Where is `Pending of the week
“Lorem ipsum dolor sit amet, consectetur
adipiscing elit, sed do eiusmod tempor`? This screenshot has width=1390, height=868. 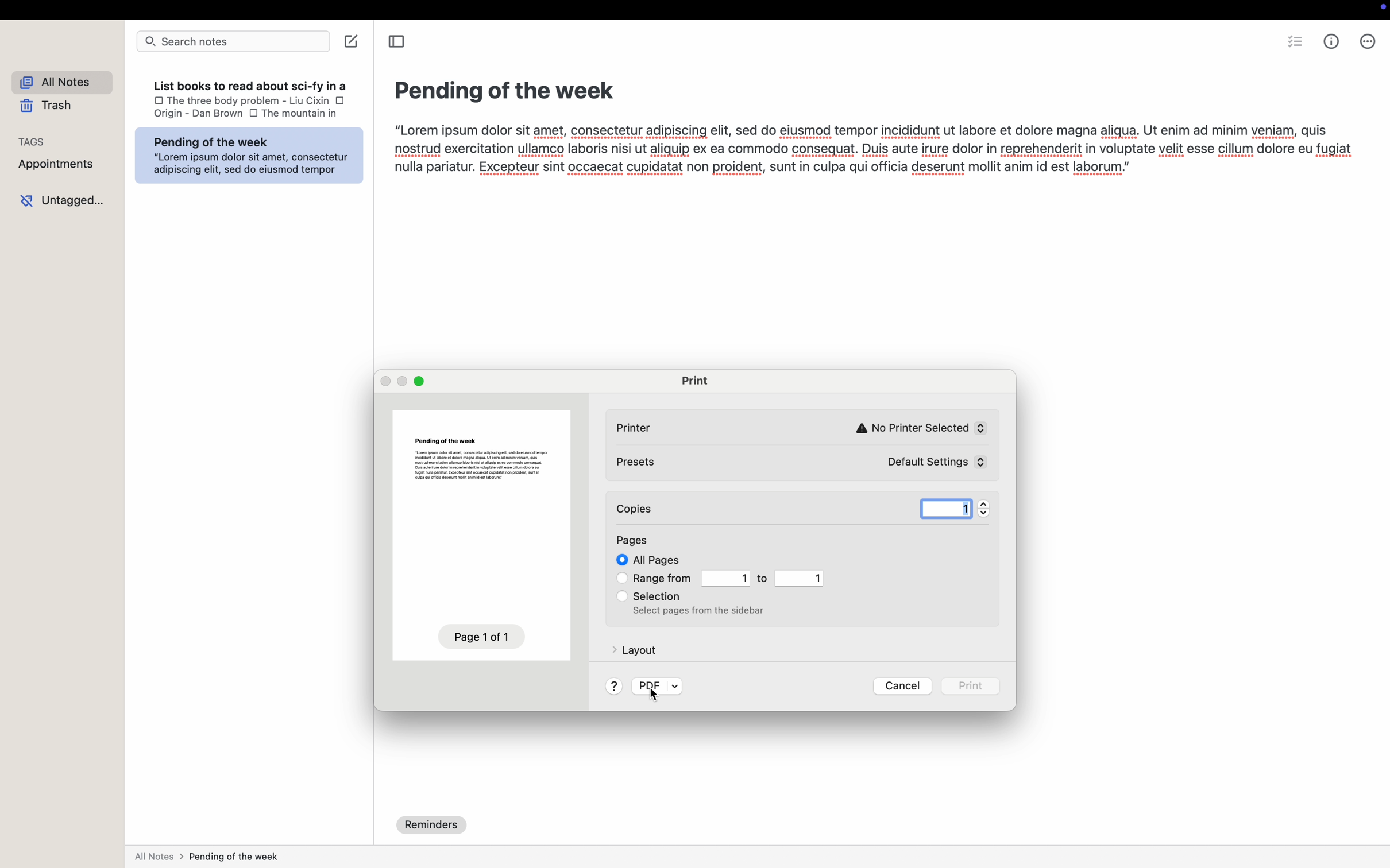 Pending of the week
“Lorem ipsum dolor sit amet, consectetur
adipiscing elit, sed do eiusmod tempor is located at coordinates (252, 155).